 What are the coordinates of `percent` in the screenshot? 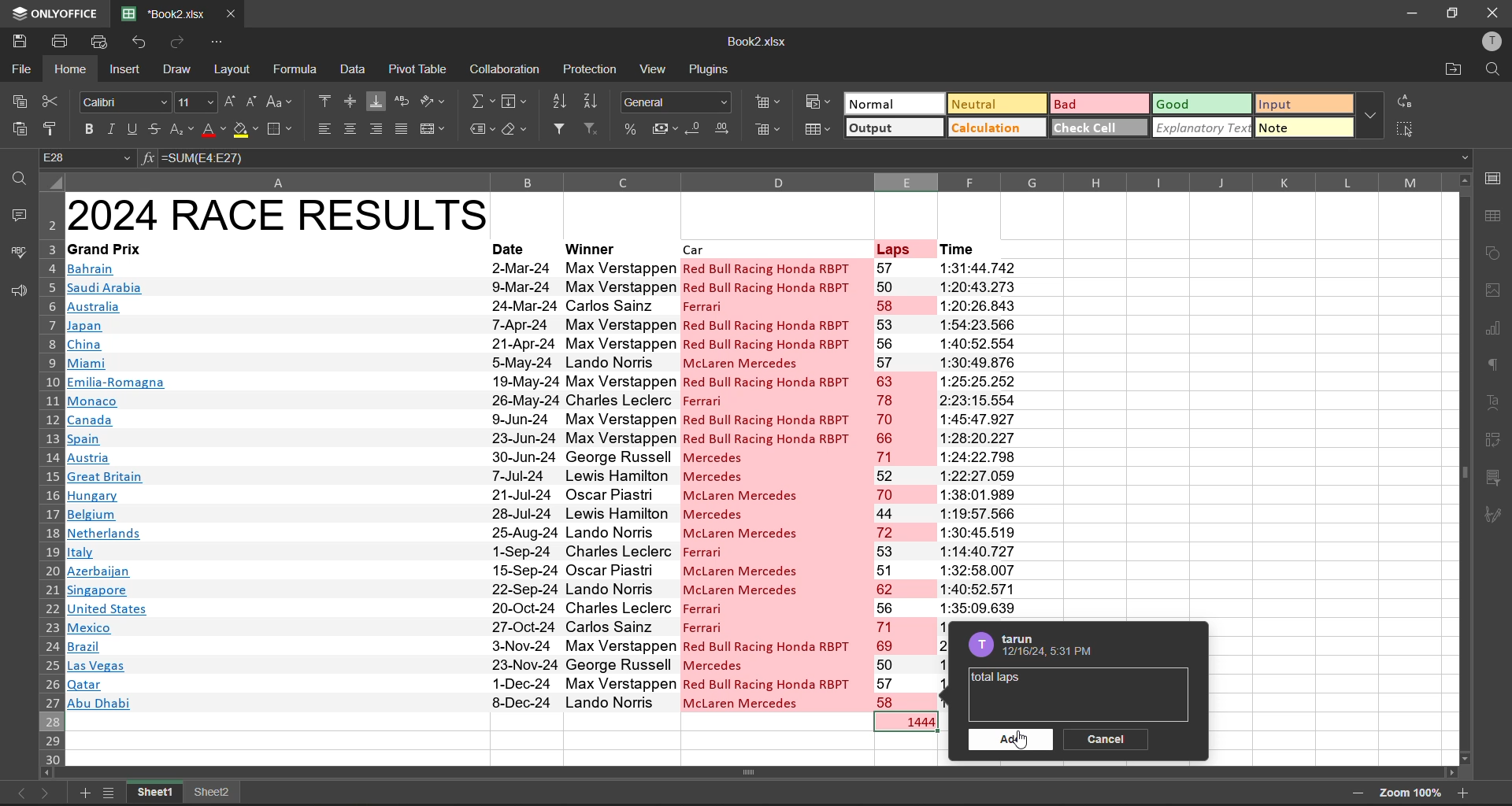 It's located at (632, 128).